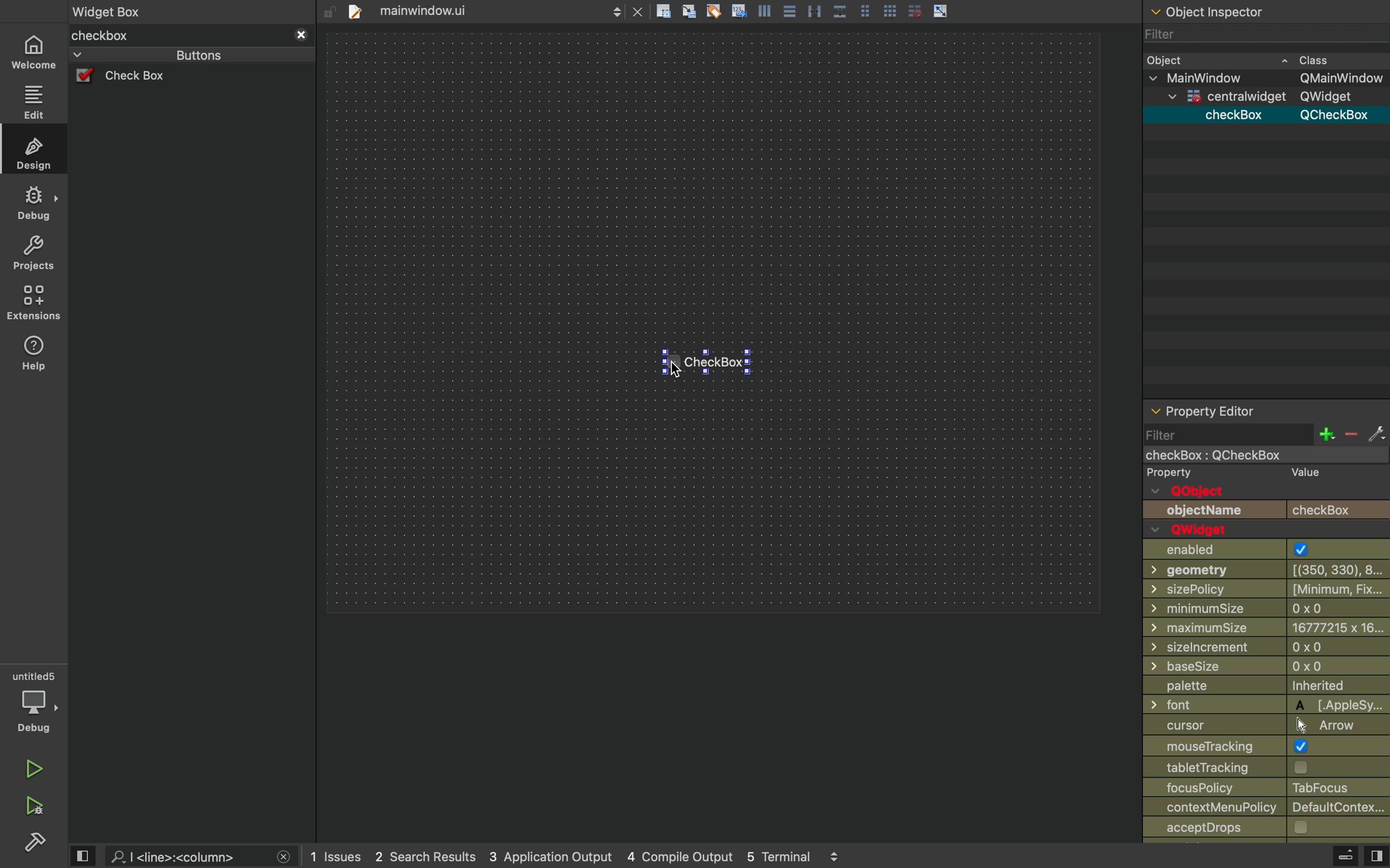 The image size is (1390, 868). Describe the element at coordinates (1203, 491) in the screenshot. I see `qobject` at that location.